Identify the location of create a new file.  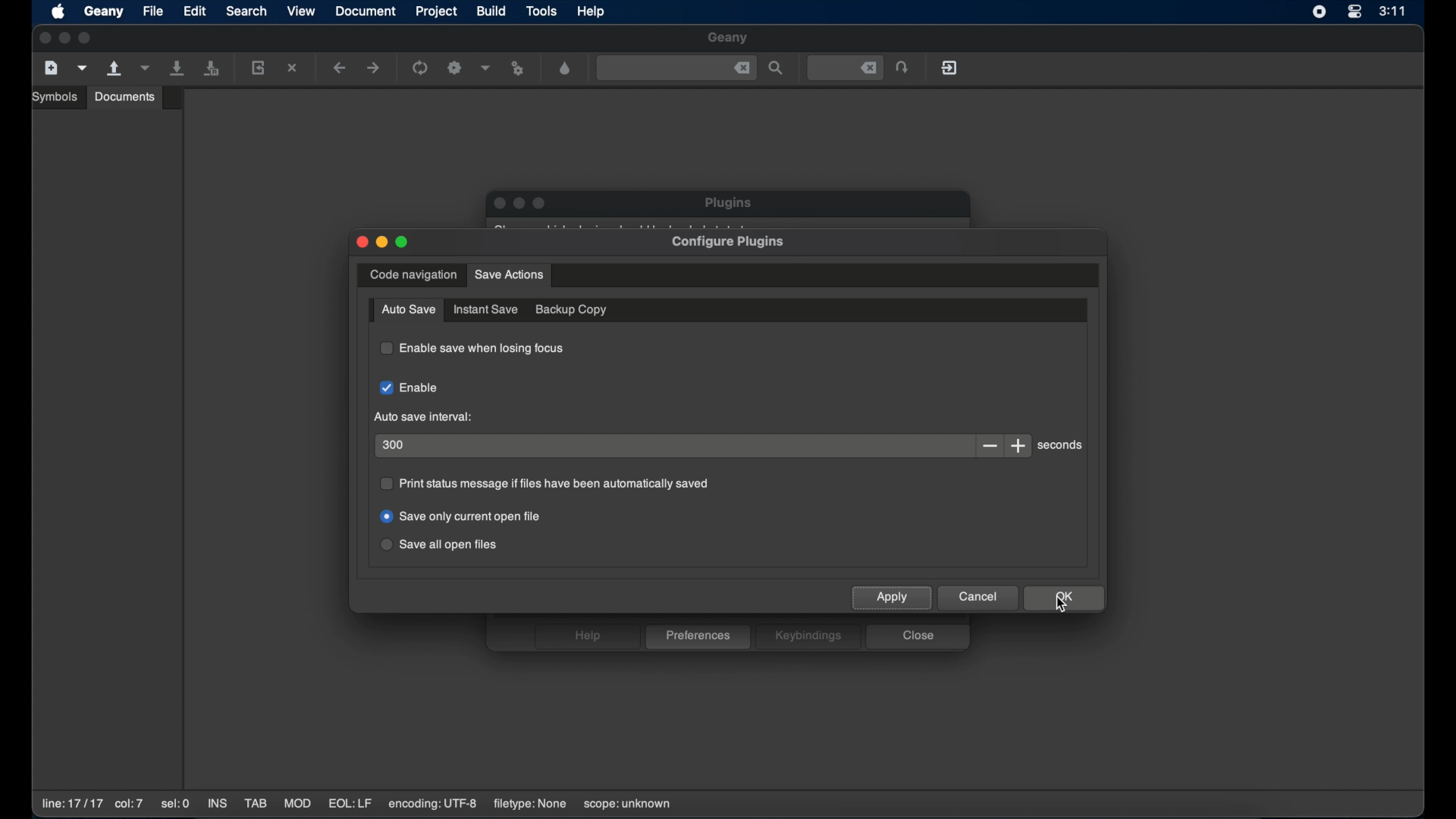
(52, 68).